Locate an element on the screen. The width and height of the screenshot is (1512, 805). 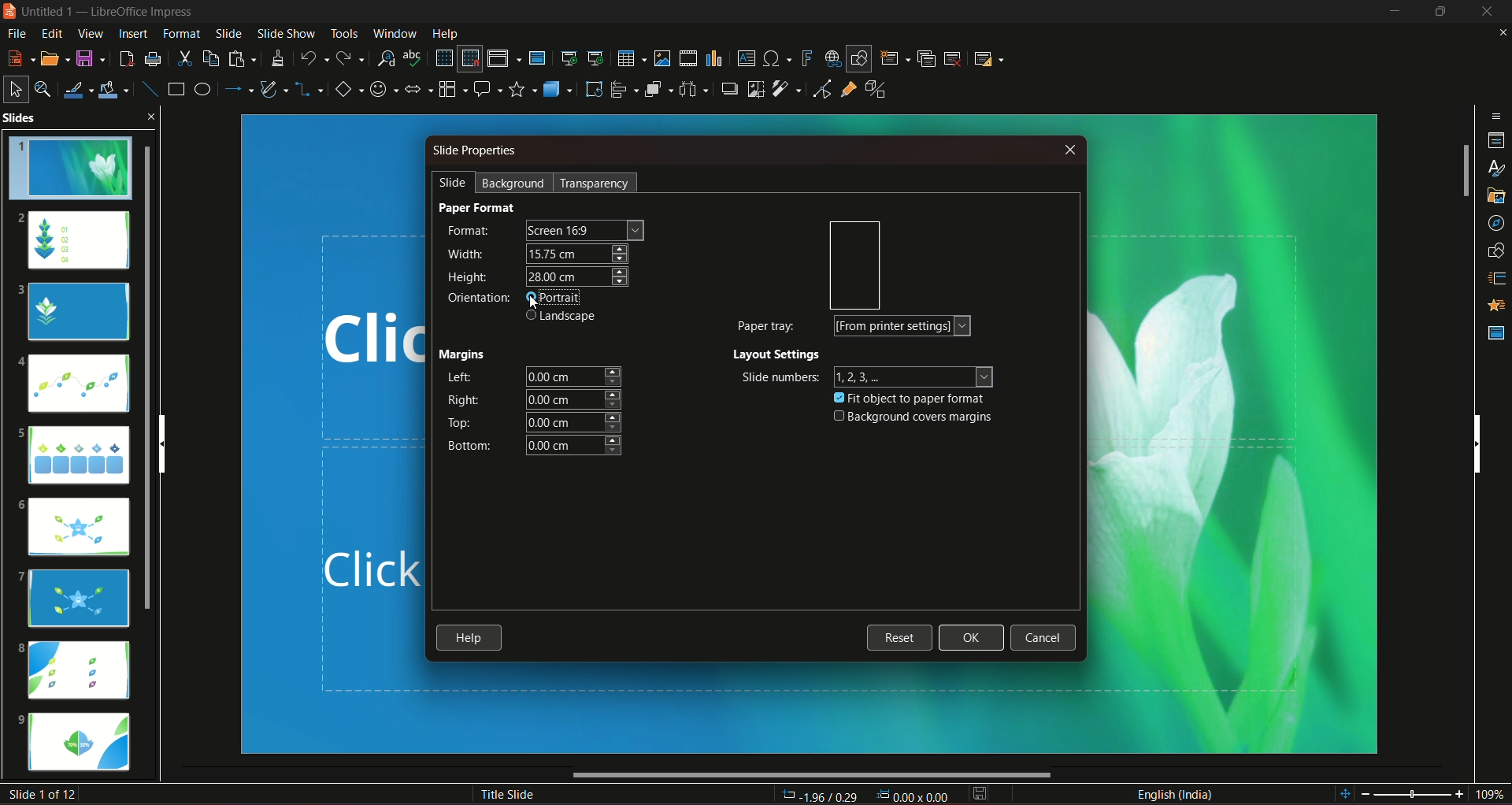
dimensions is located at coordinates (864, 794).